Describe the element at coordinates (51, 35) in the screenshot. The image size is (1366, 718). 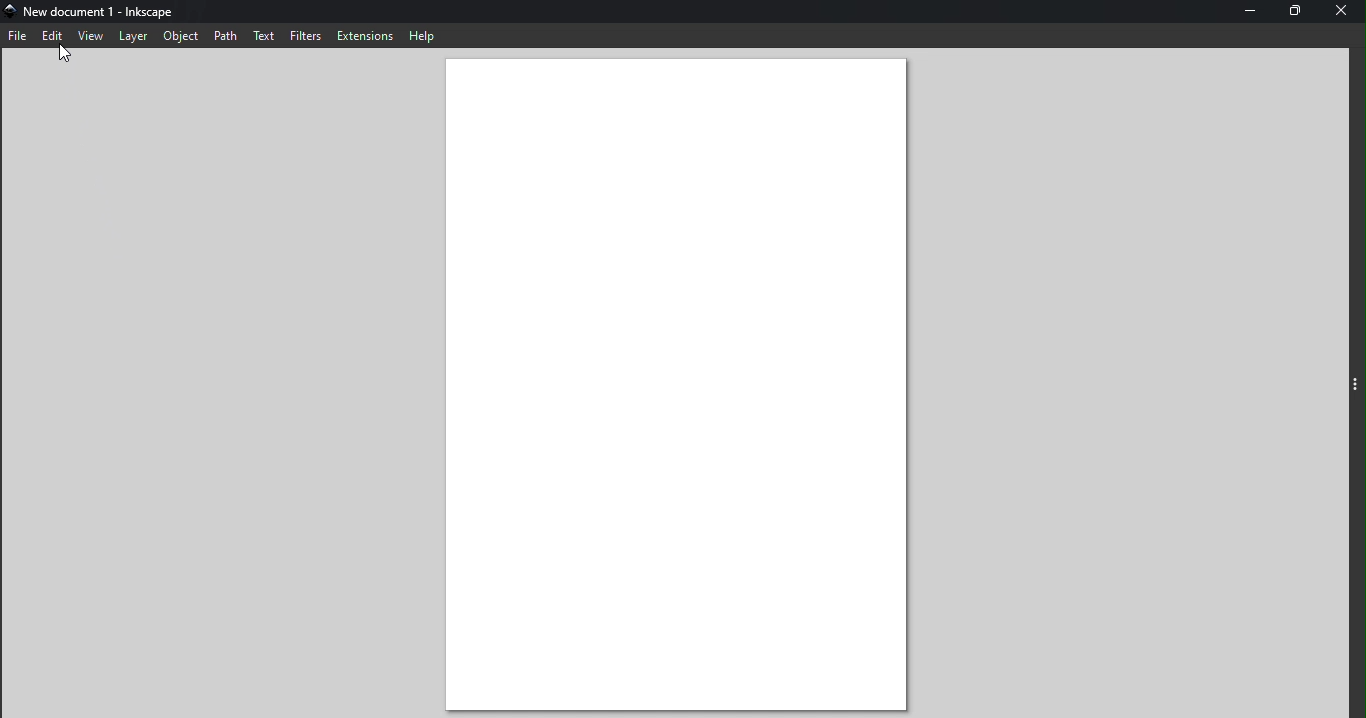
I see `Edit` at that location.